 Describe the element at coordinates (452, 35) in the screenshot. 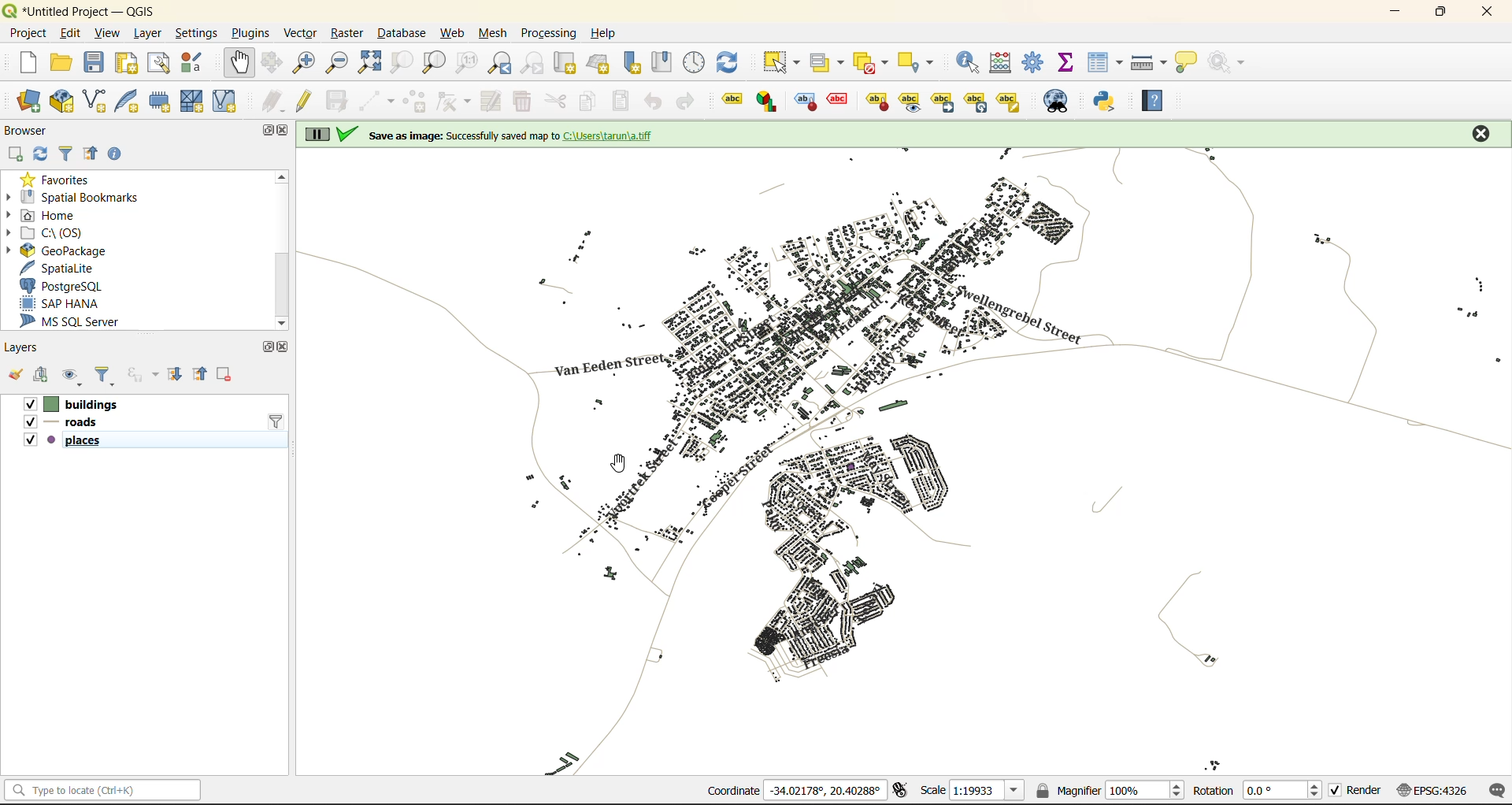

I see `web` at that location.